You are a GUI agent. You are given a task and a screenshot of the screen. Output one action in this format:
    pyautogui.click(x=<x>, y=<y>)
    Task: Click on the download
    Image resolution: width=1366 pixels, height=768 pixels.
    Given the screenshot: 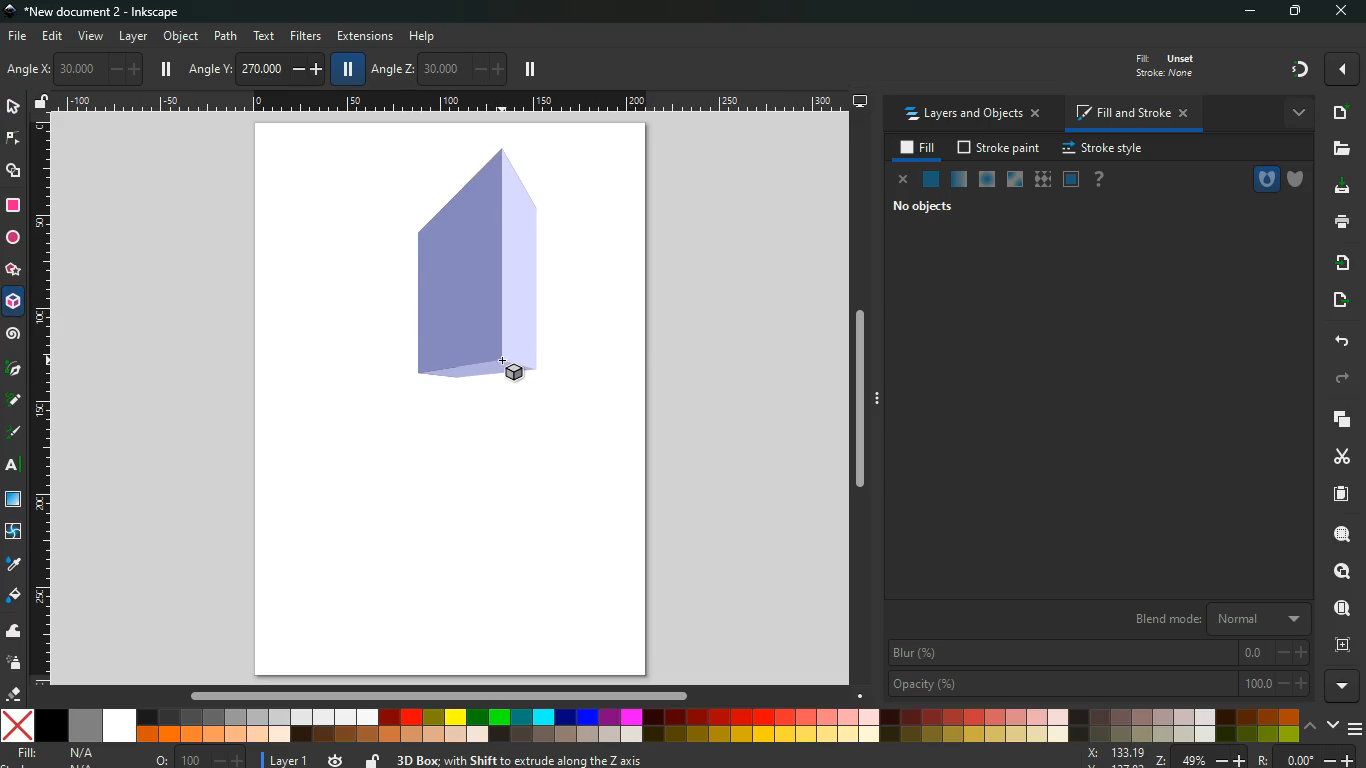 What is the action you would take?
    pyautogui.click(x=1338, y=187)
    